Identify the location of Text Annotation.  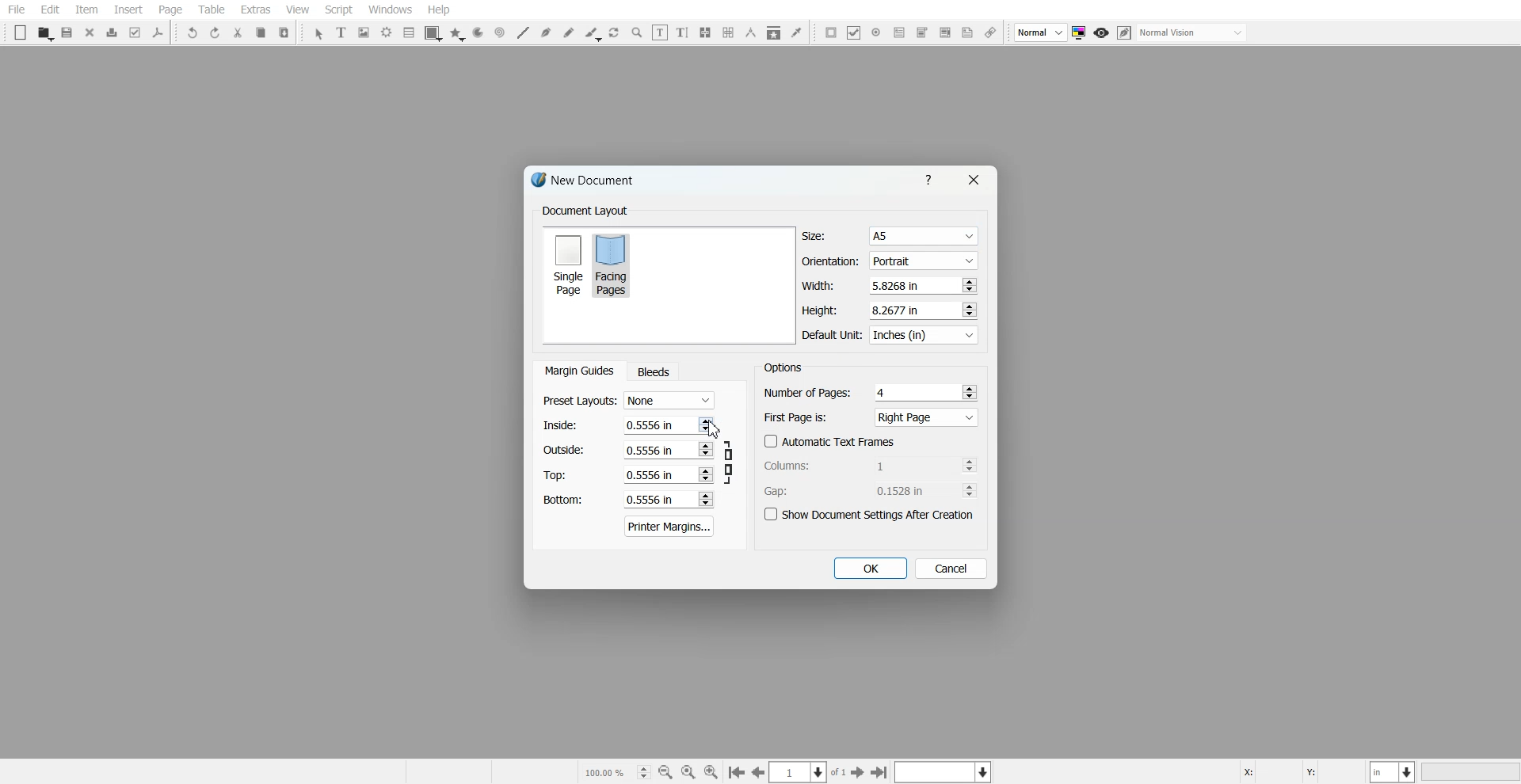
(967, 33).